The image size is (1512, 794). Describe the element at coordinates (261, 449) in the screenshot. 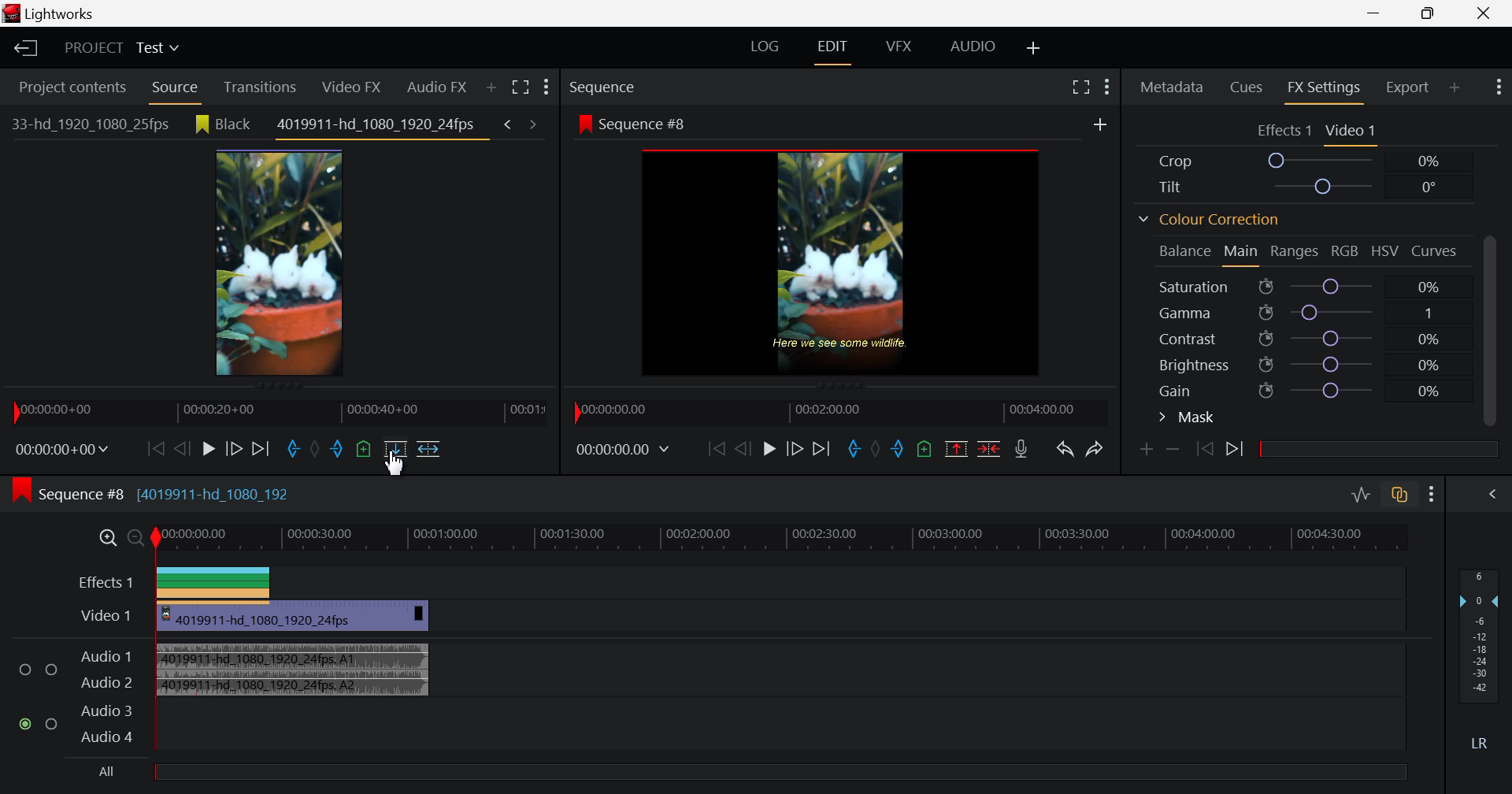

I see `To End` at that location.